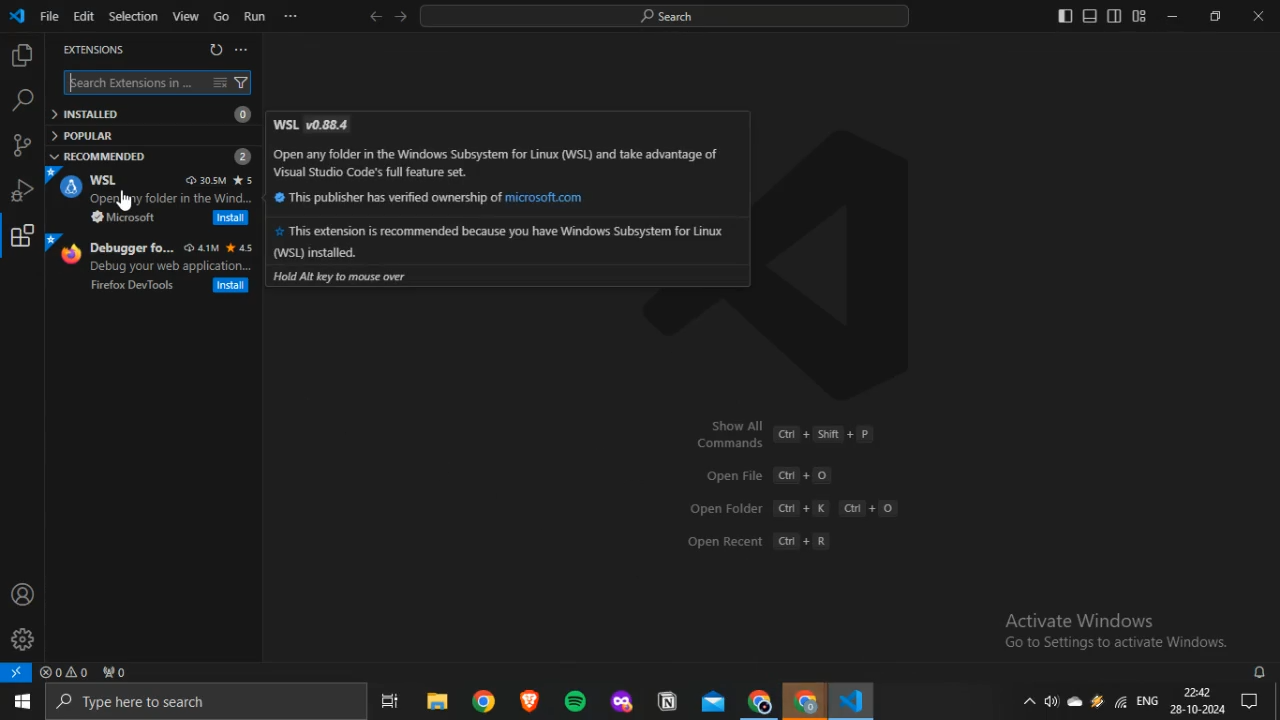 The width and height of the screenshot is (1280, 720). Describe the element at coordinates (1089, 15) in the screenshot. I see `toggle panel` at that location.